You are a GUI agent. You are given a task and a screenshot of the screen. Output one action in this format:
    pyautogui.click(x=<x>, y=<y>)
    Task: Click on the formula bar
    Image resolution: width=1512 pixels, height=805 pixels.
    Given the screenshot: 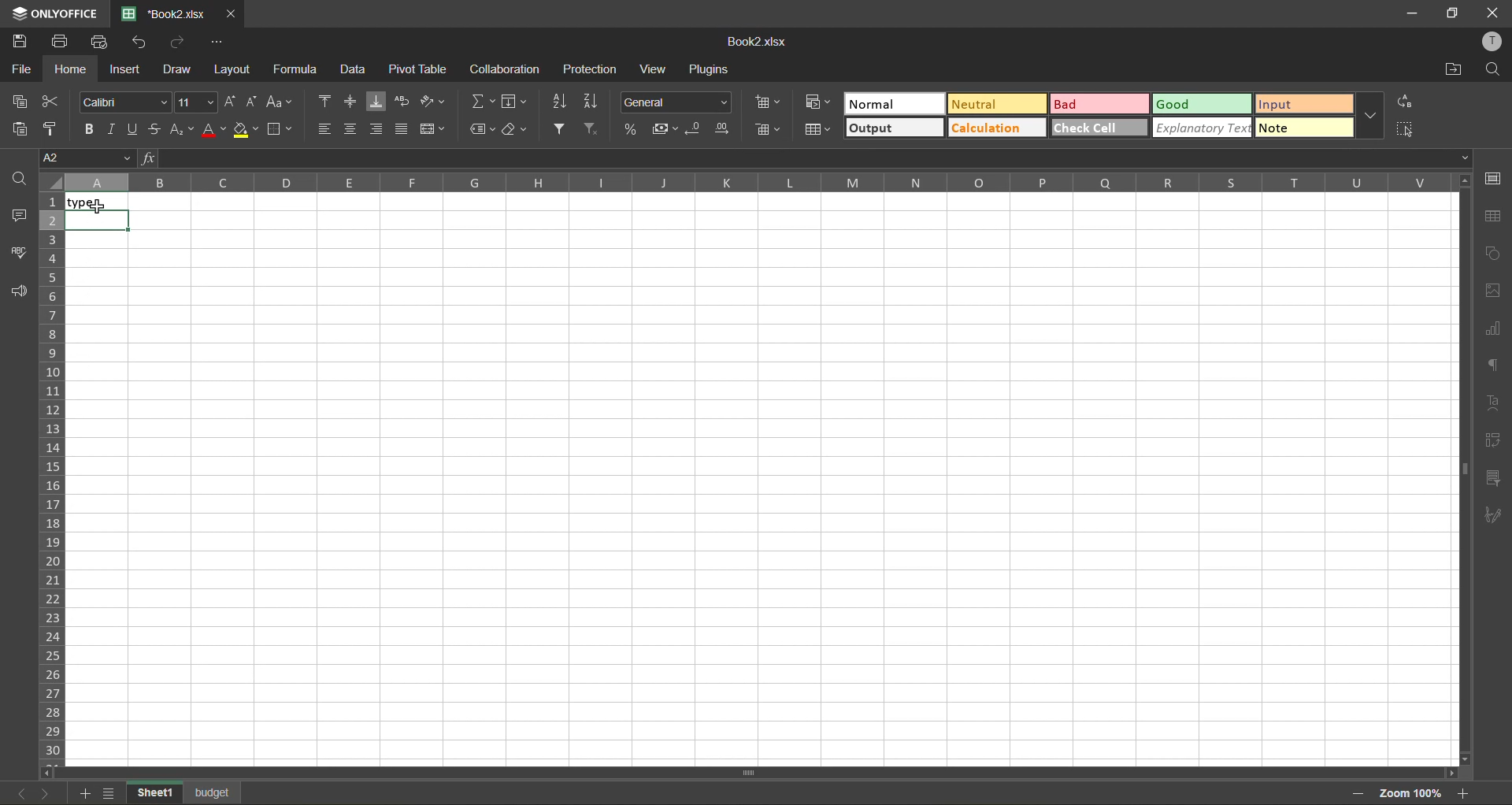 What is the action you would take?
    pyautogui.click(x=806, y=158)
    